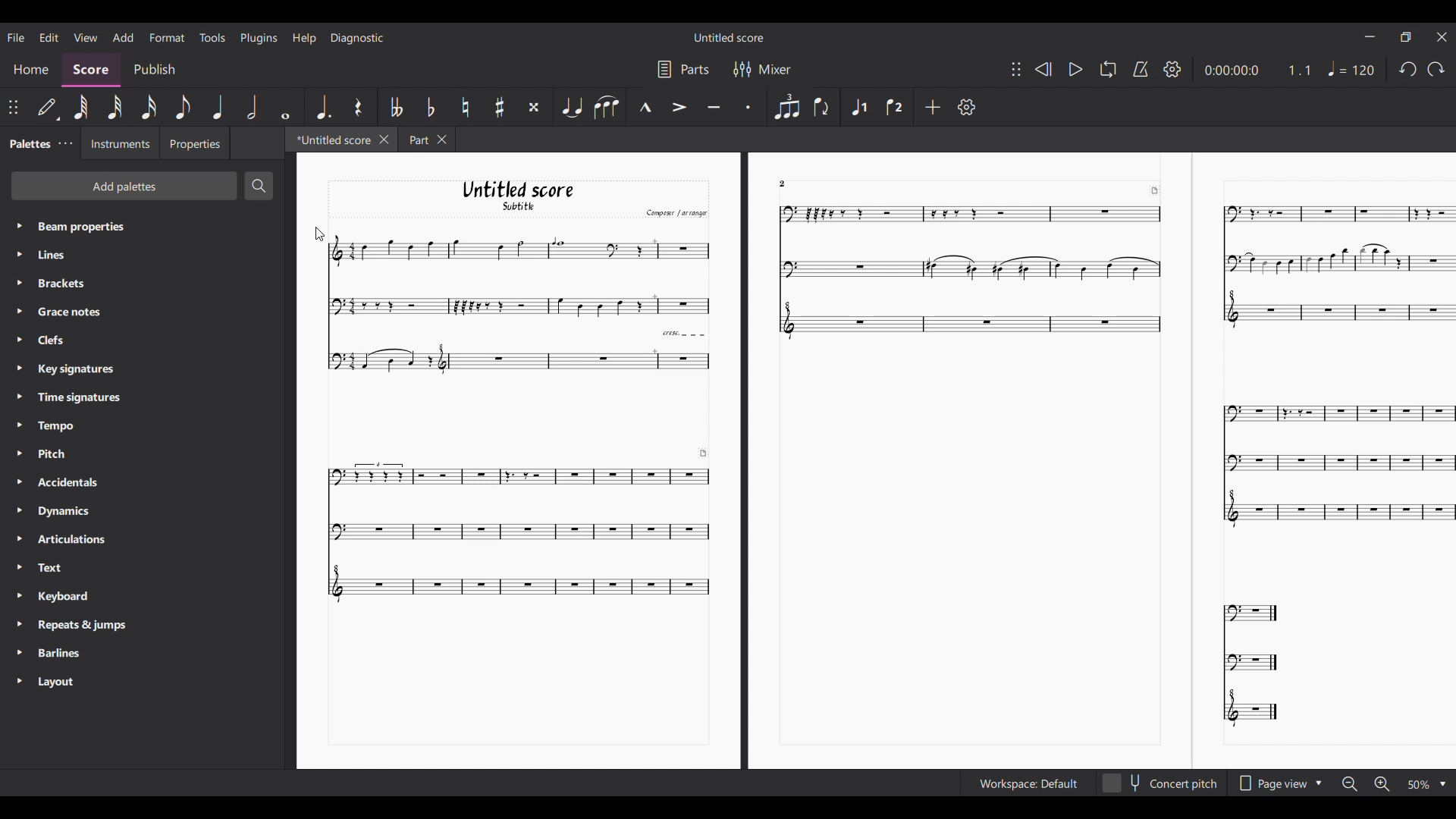 The height and width of the screenshot is (819, 1456). What do you see at coordinates (183, 107) in the screenshot?
I see `8th note` at bounding box center [183, 107].